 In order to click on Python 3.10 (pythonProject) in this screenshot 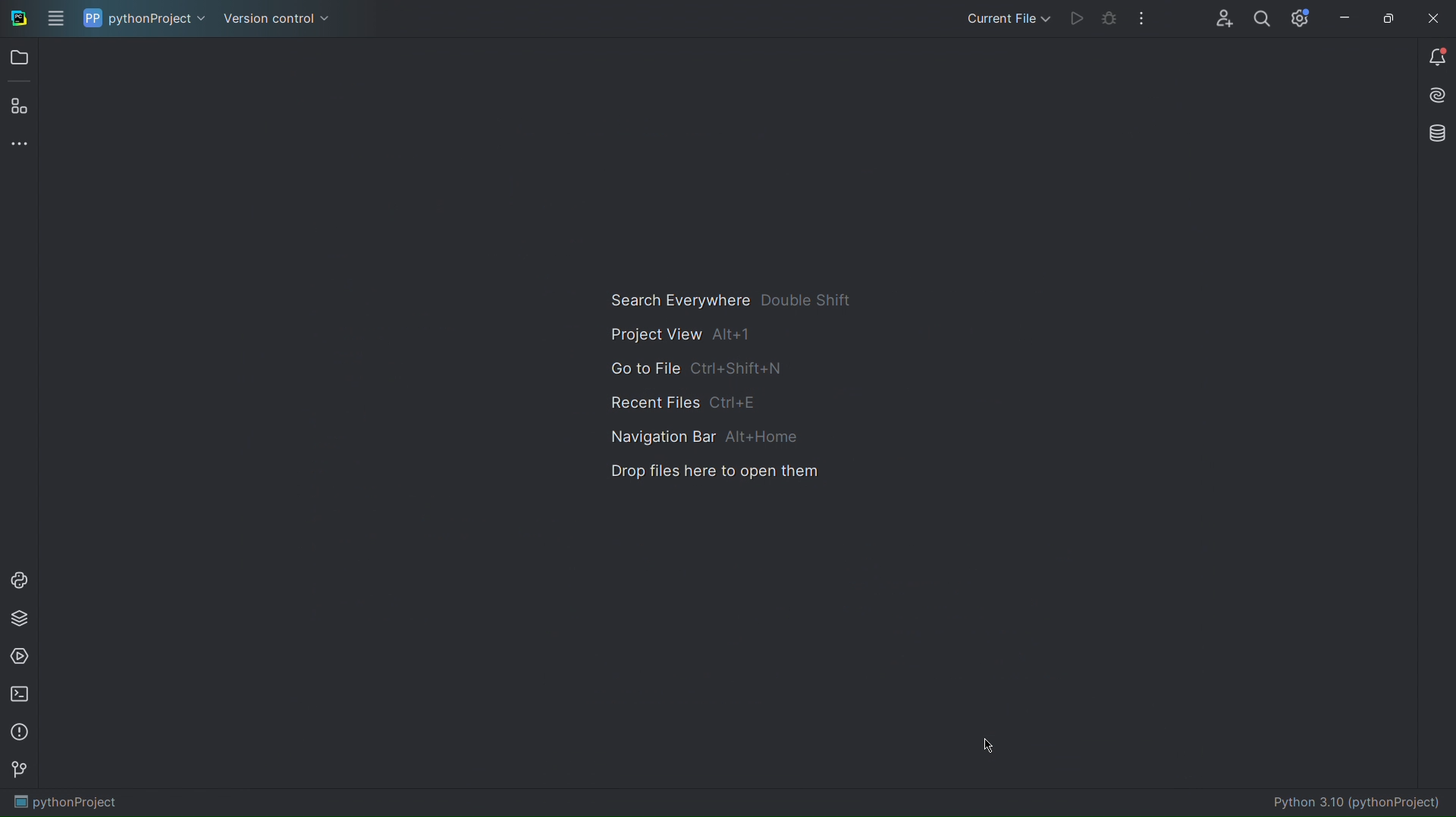, I will do `click(1357, 800)`.